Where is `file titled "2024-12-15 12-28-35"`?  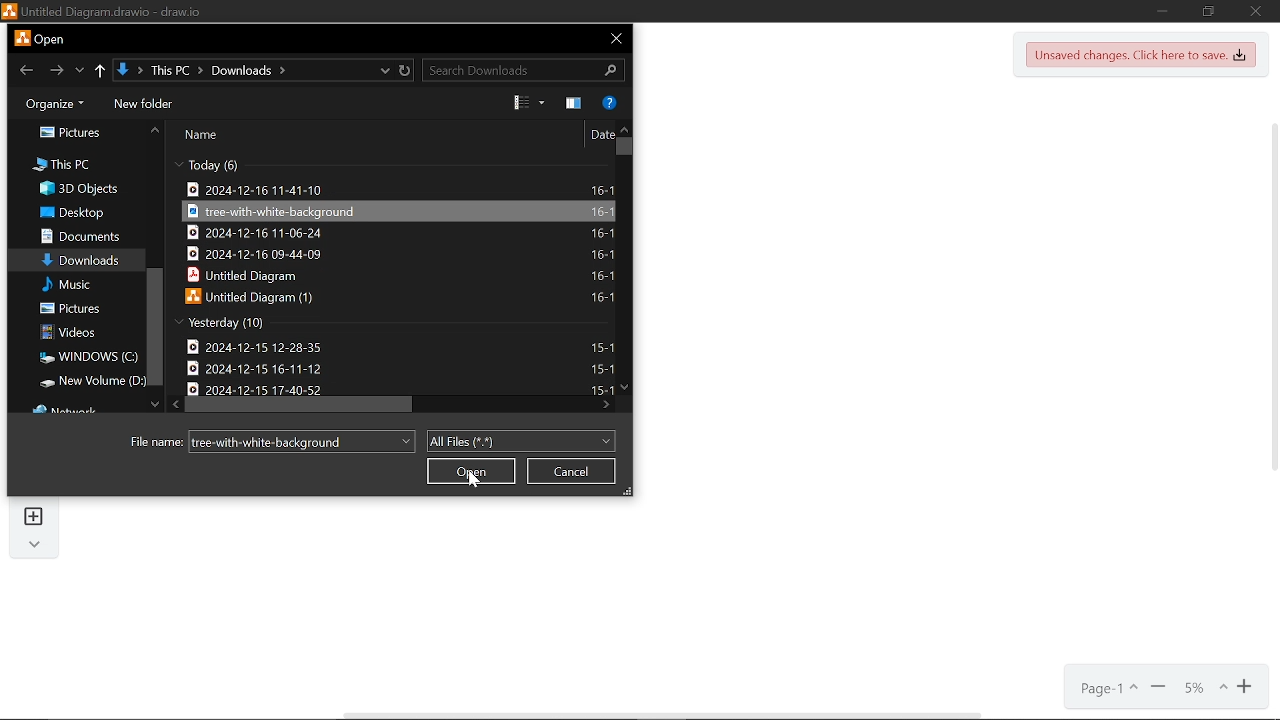
file titled "2024-12-15 12-28-35" is located at coordinates (396, 347).